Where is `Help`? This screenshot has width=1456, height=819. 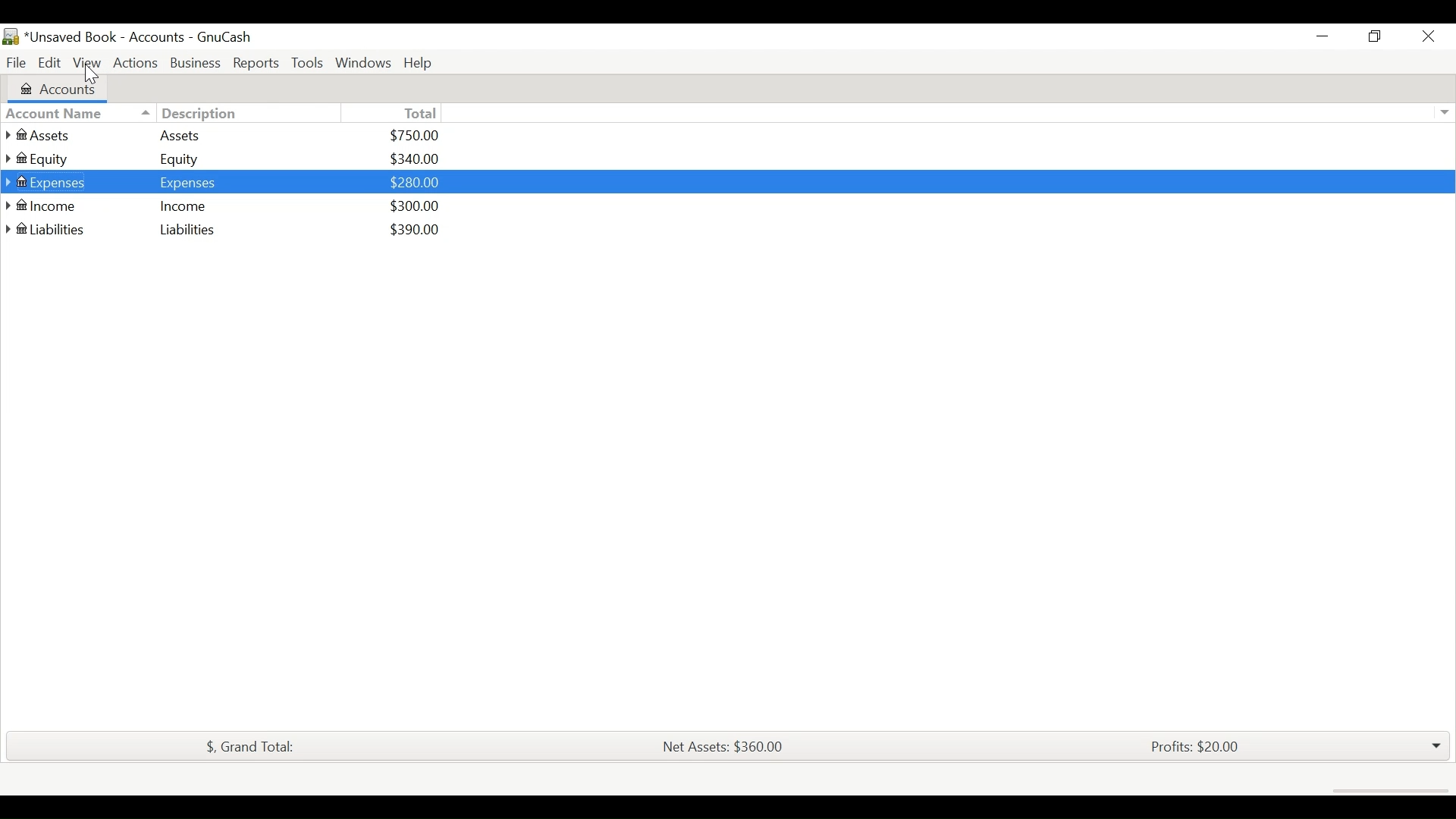 Help is located at coordinates (421, 63).